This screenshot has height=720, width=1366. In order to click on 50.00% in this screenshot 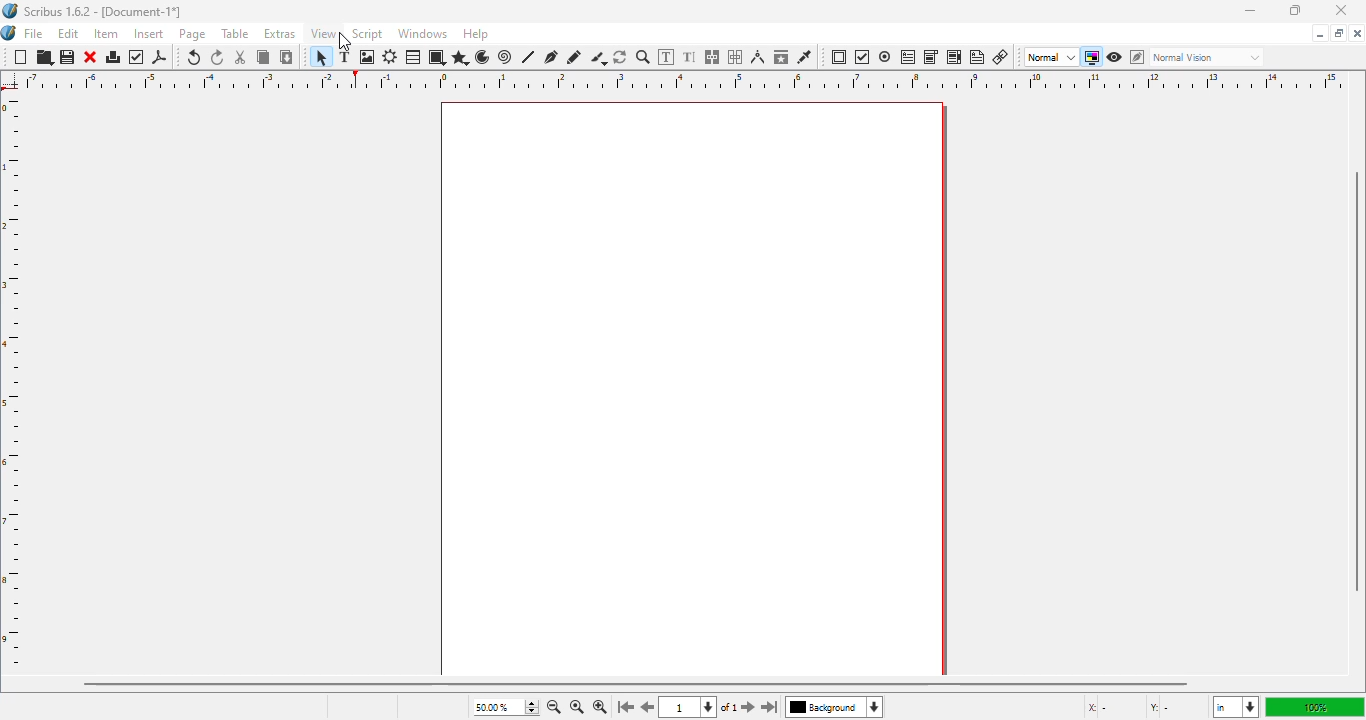, I will do `click(487, 707)`.